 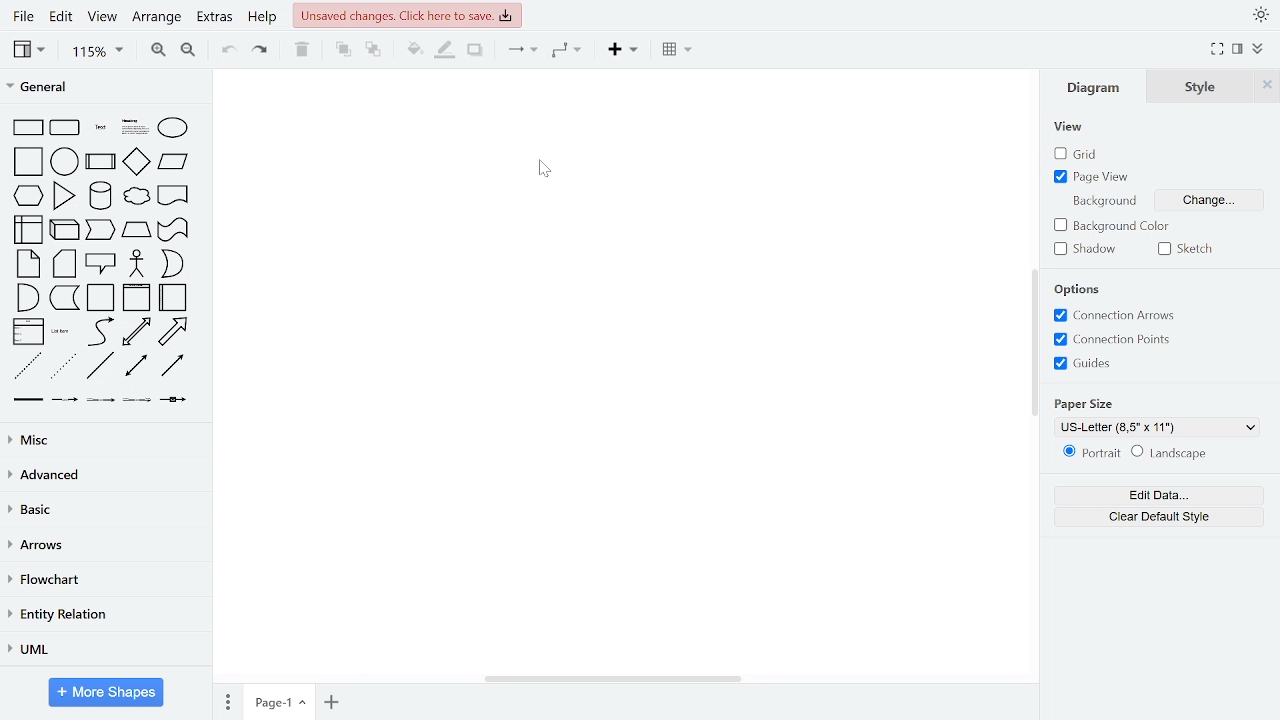 What do you see at coordinates (610, 676) in the screenshot?
I see `horizontal scrollbar` at bounding box center [610, 676].